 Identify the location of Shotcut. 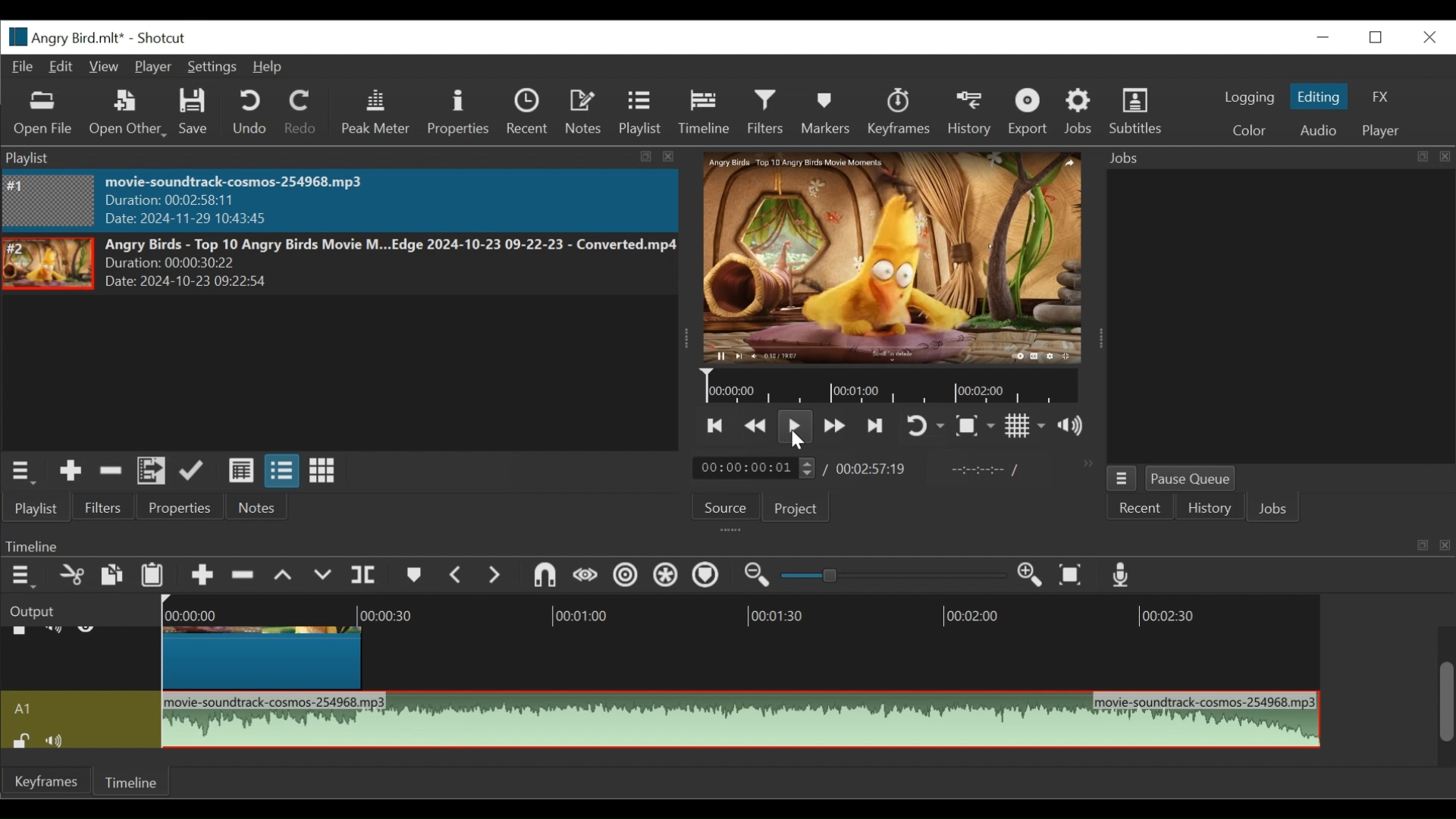
(165, 38).